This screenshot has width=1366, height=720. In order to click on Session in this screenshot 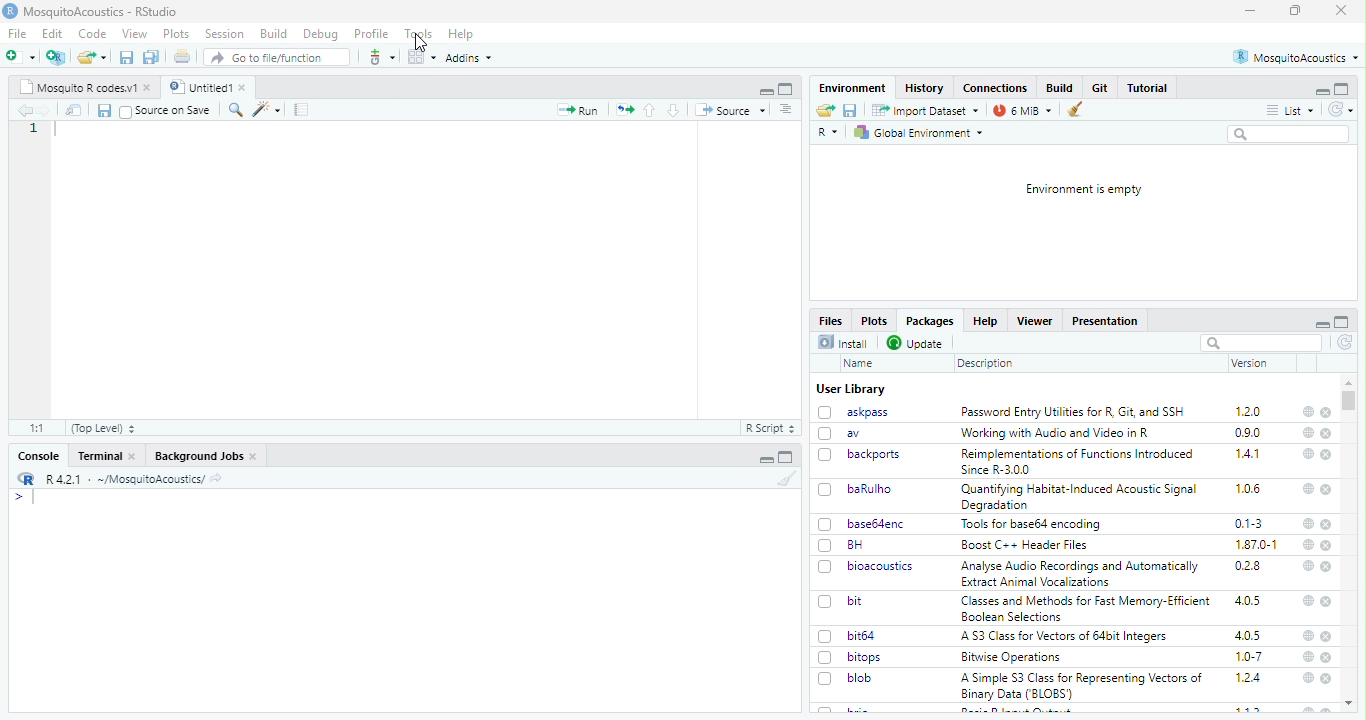, I will do `click(226, 34)`.